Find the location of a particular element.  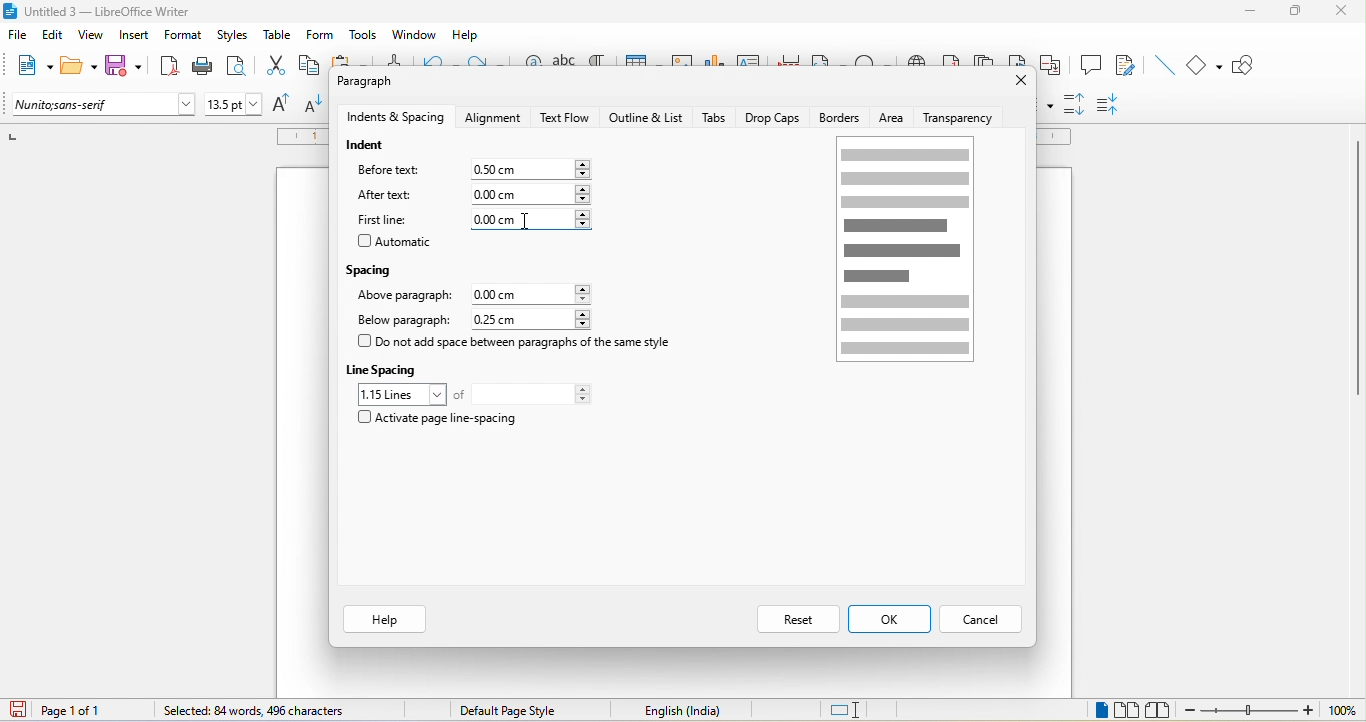

0.00 cm is located at coordinates (518, 168).